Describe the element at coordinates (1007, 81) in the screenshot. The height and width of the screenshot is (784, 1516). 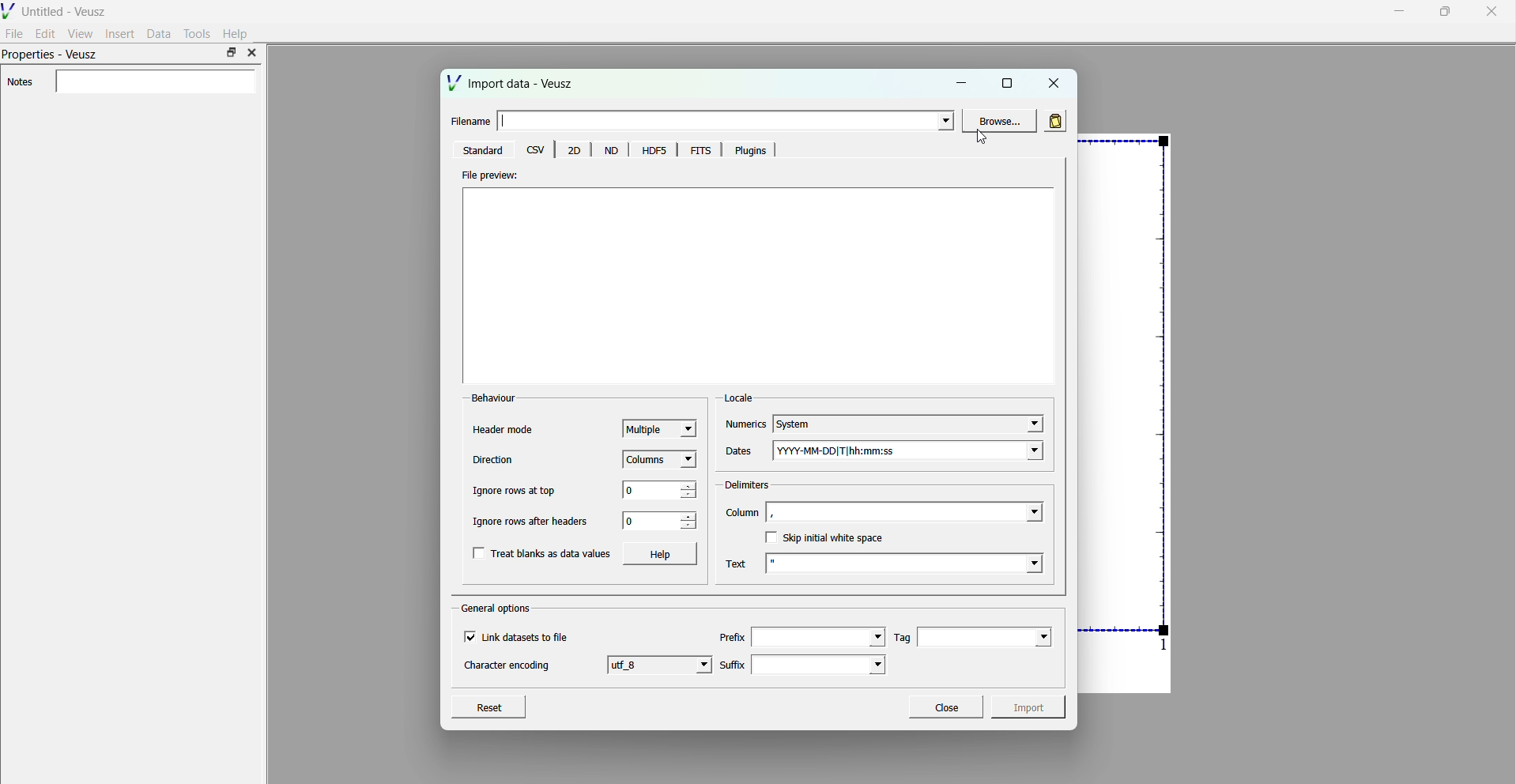
I see `maximise` at that location.